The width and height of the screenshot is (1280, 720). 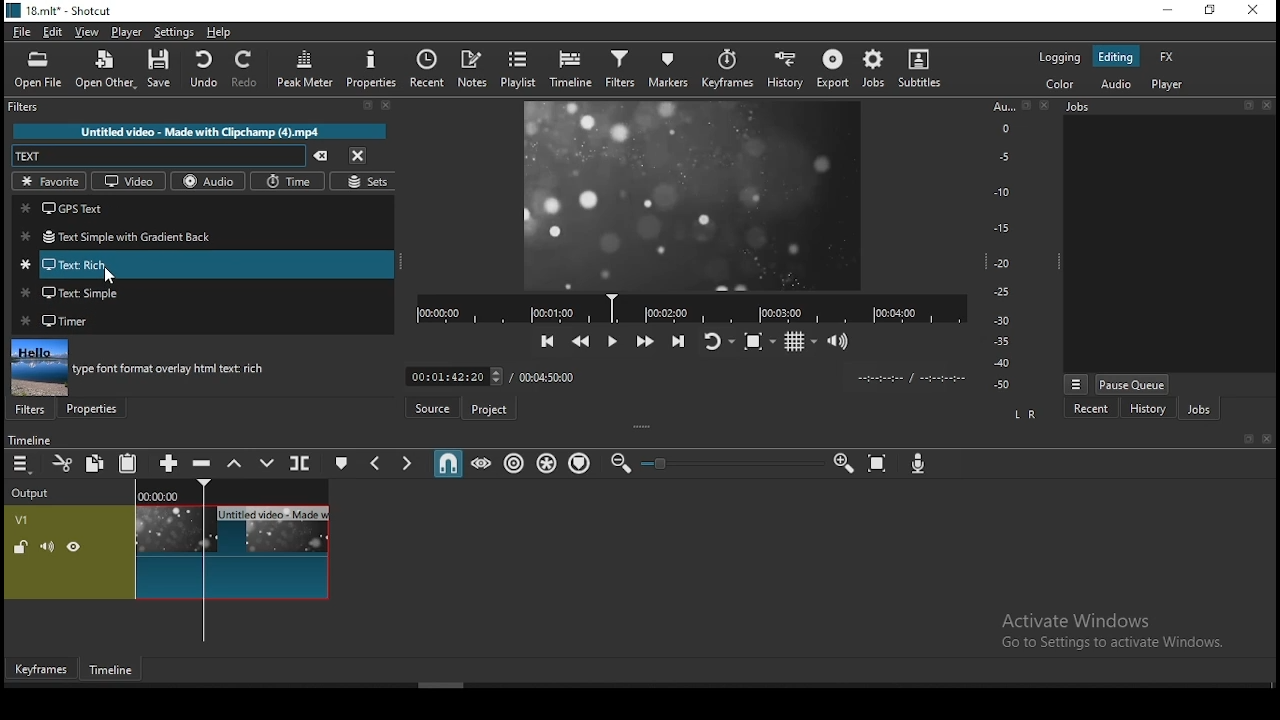 What do you see at coordinates (204, 464) in the screenshot?
I see `ripple delete` at bounding box center [204, 464].